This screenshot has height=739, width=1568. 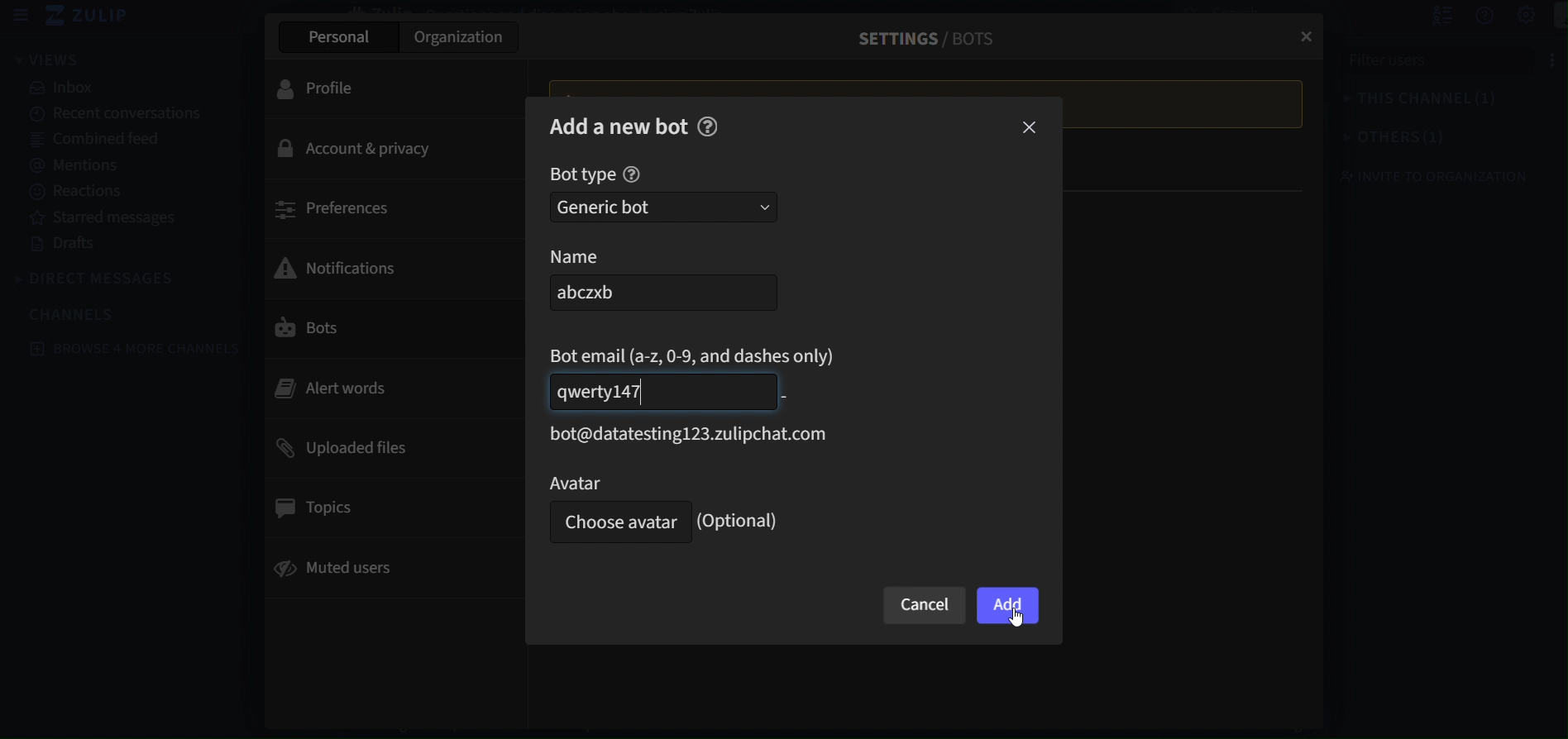 I want to click on name, so click(x=595, y=256).